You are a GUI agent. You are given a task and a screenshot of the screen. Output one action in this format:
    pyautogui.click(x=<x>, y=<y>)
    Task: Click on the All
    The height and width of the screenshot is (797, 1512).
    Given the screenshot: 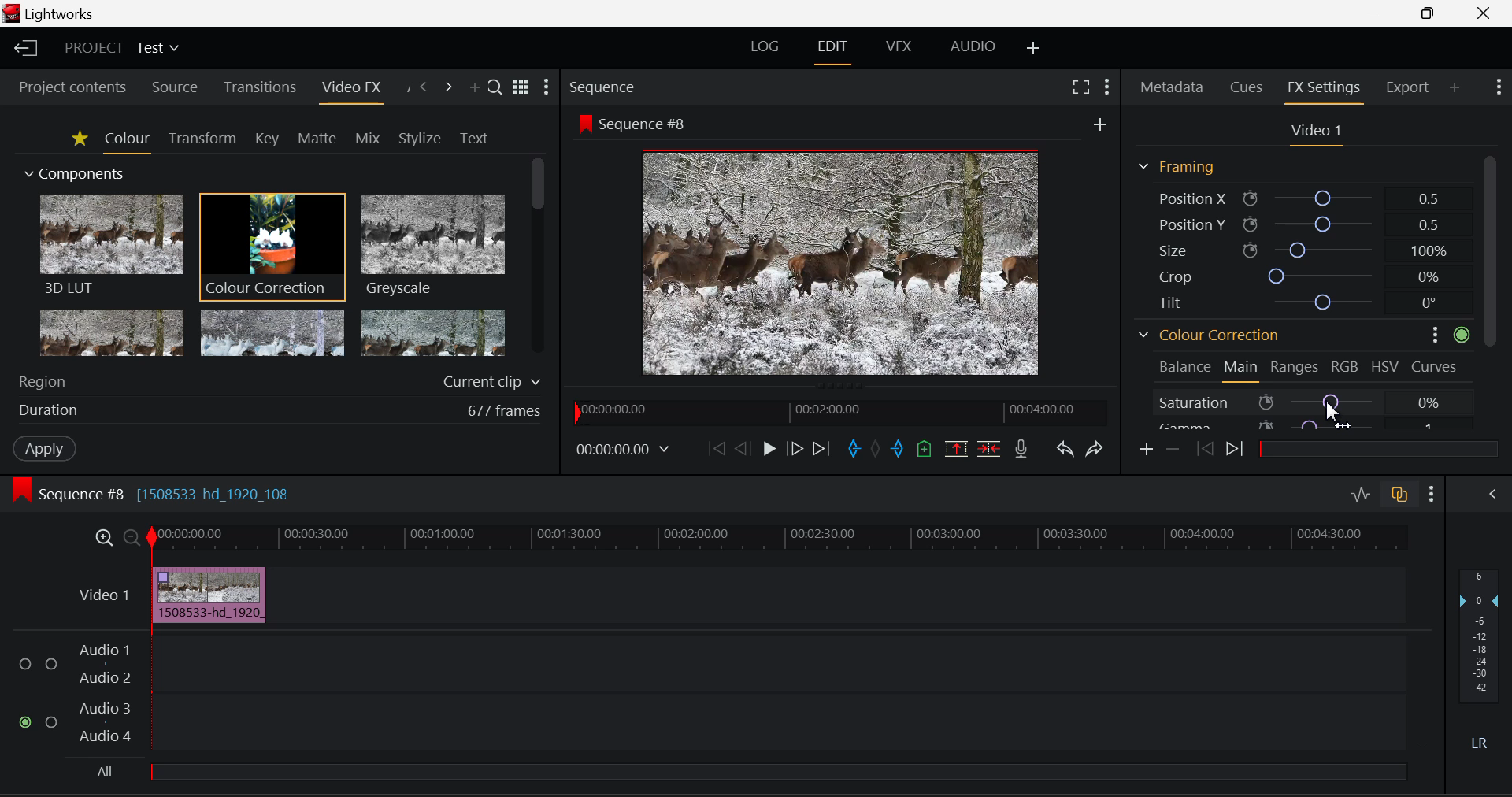 What is the action you would take?
    pyautogui.click(x=744, y=776)
    